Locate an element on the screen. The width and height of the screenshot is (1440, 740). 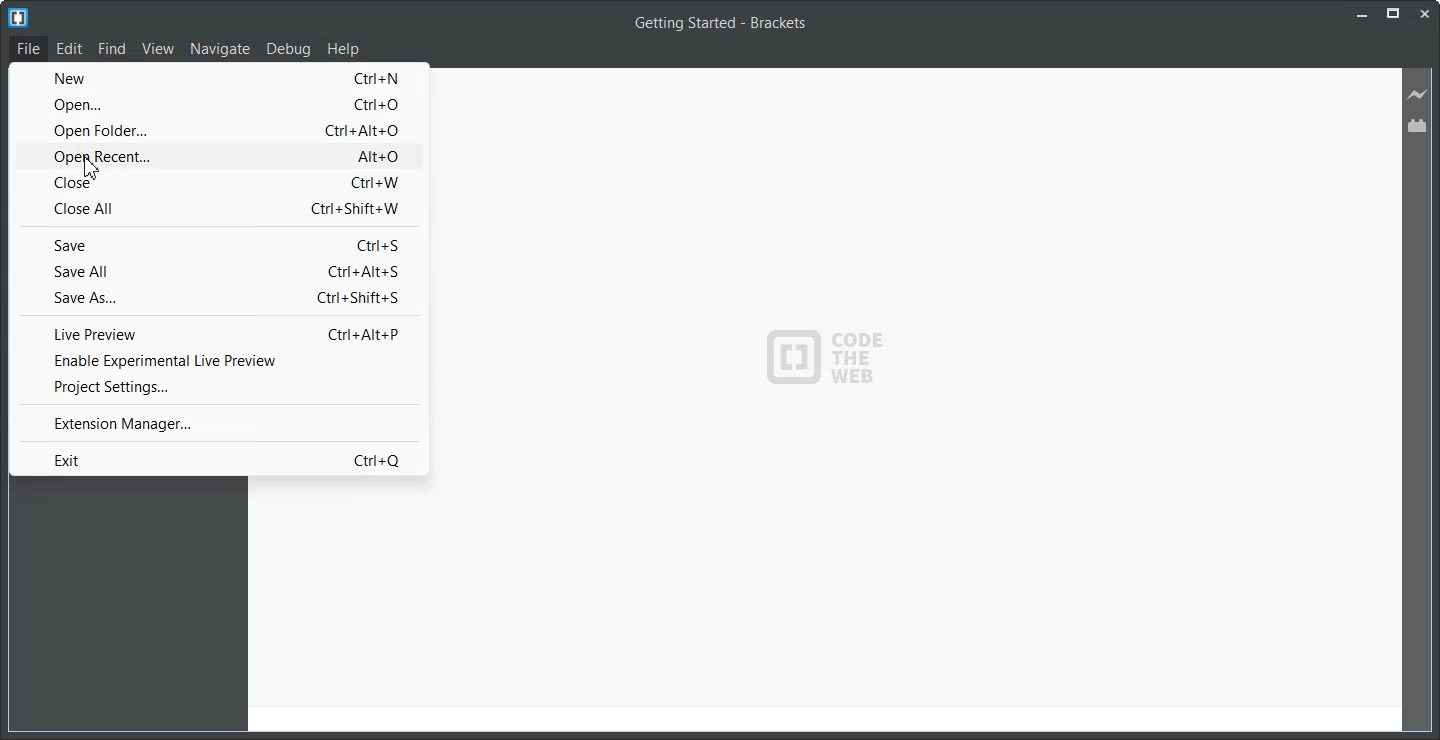
Navigate is located at coordinates (221, 49).